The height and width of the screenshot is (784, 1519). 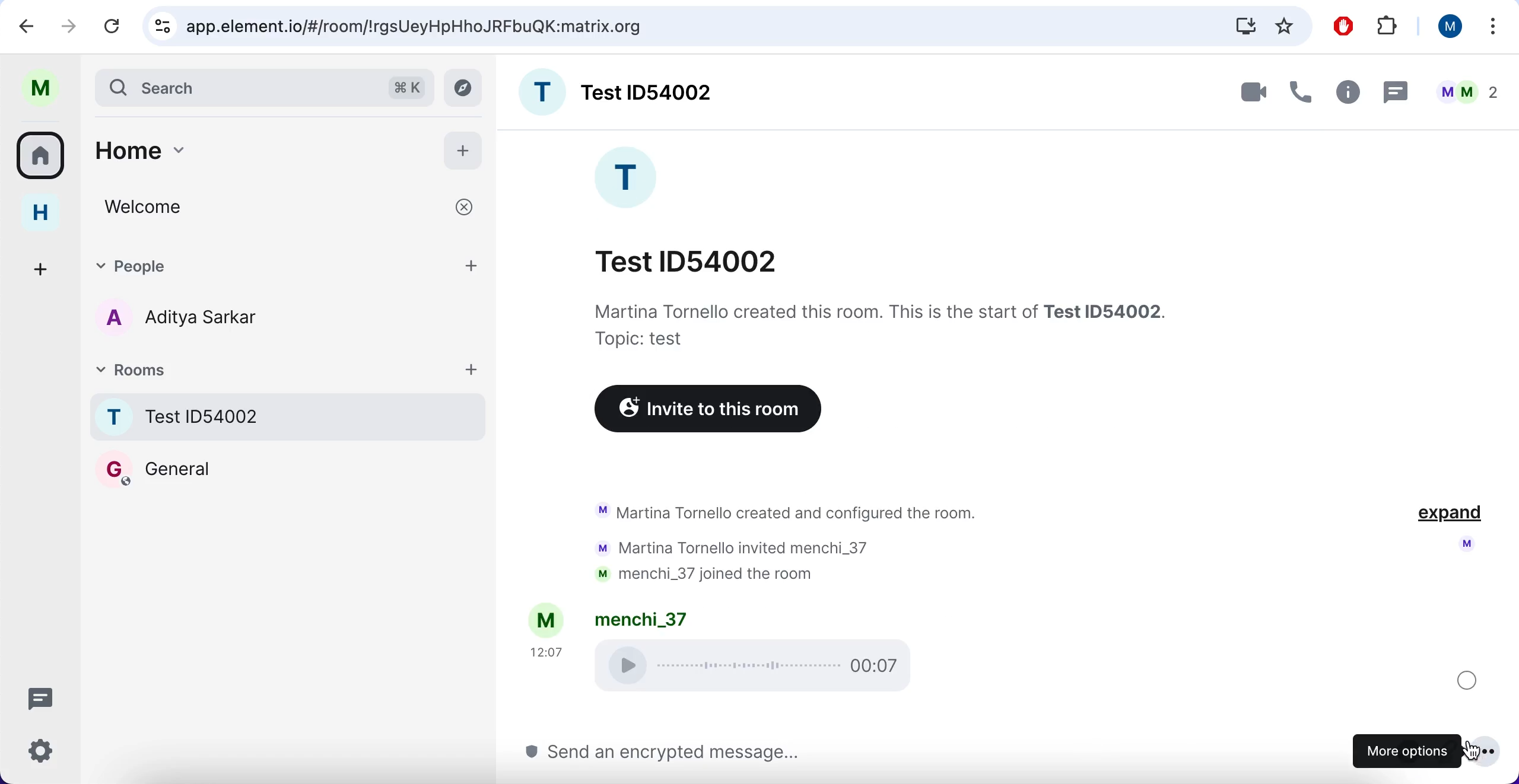 I want to click on explore rooms, so click(x=465, y=88).